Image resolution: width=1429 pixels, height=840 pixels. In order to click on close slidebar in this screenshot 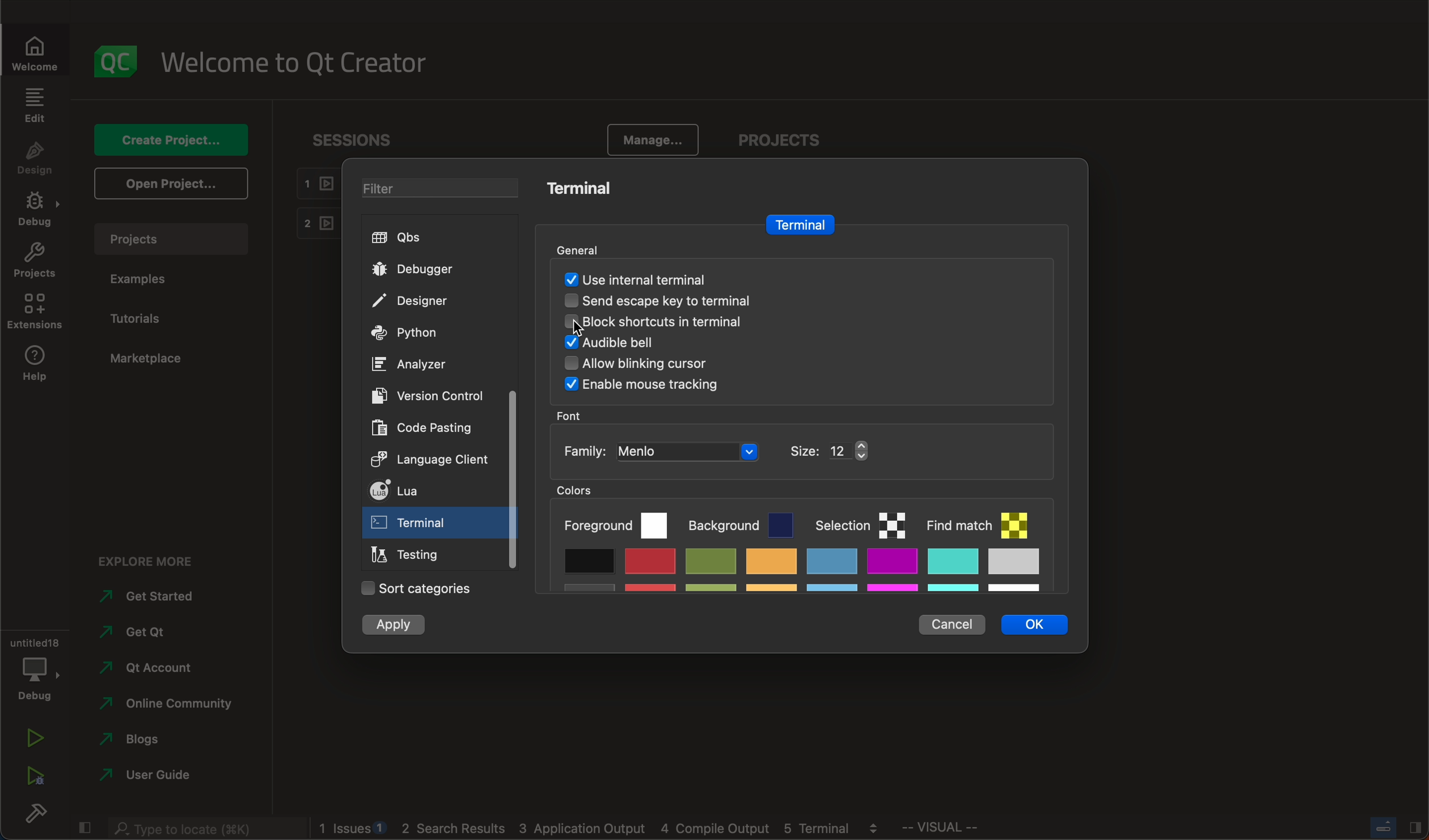, I will do `click(1390, 829)`.